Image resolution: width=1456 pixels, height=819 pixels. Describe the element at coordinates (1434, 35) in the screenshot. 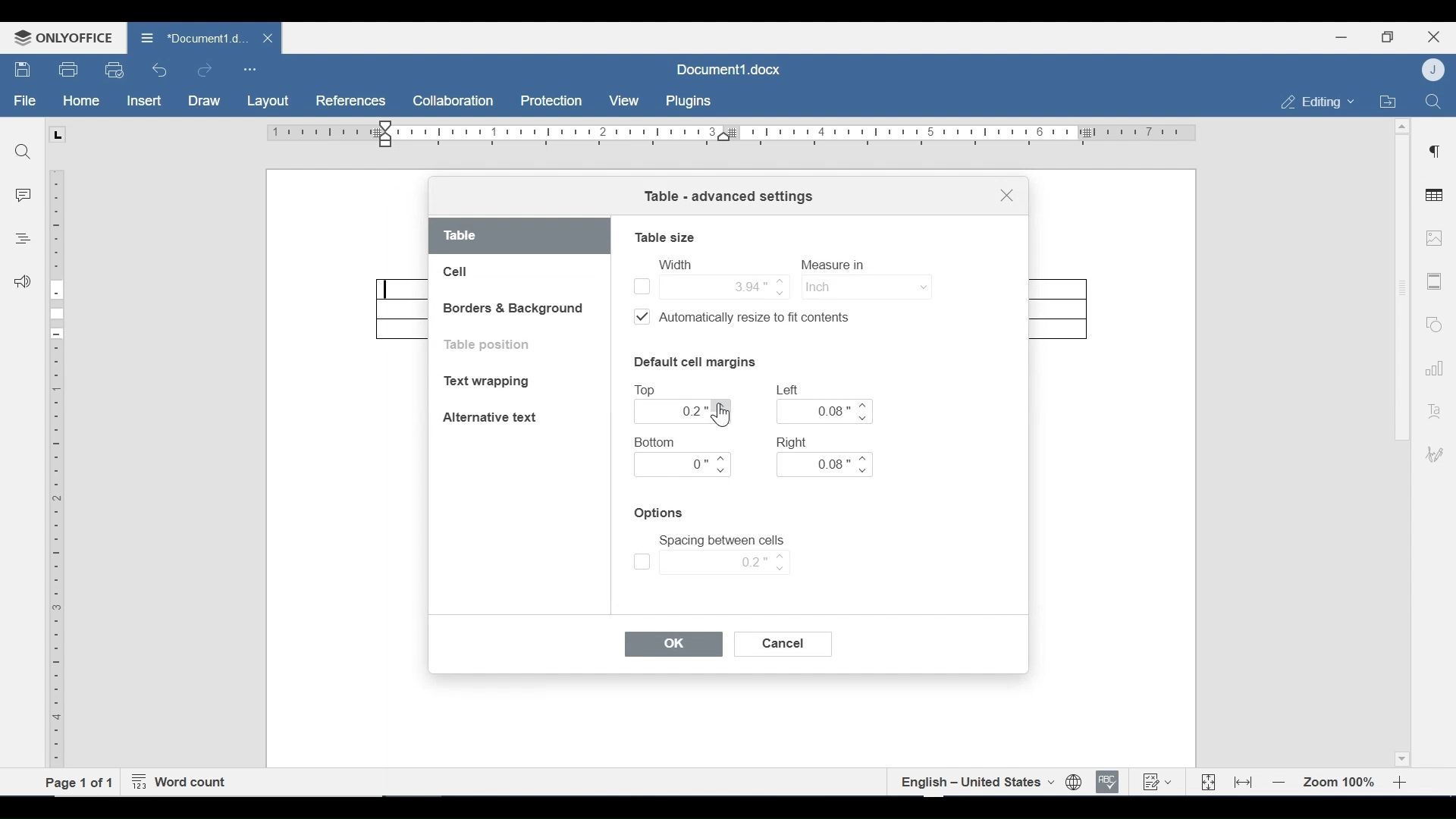

I see `Close` at that location.